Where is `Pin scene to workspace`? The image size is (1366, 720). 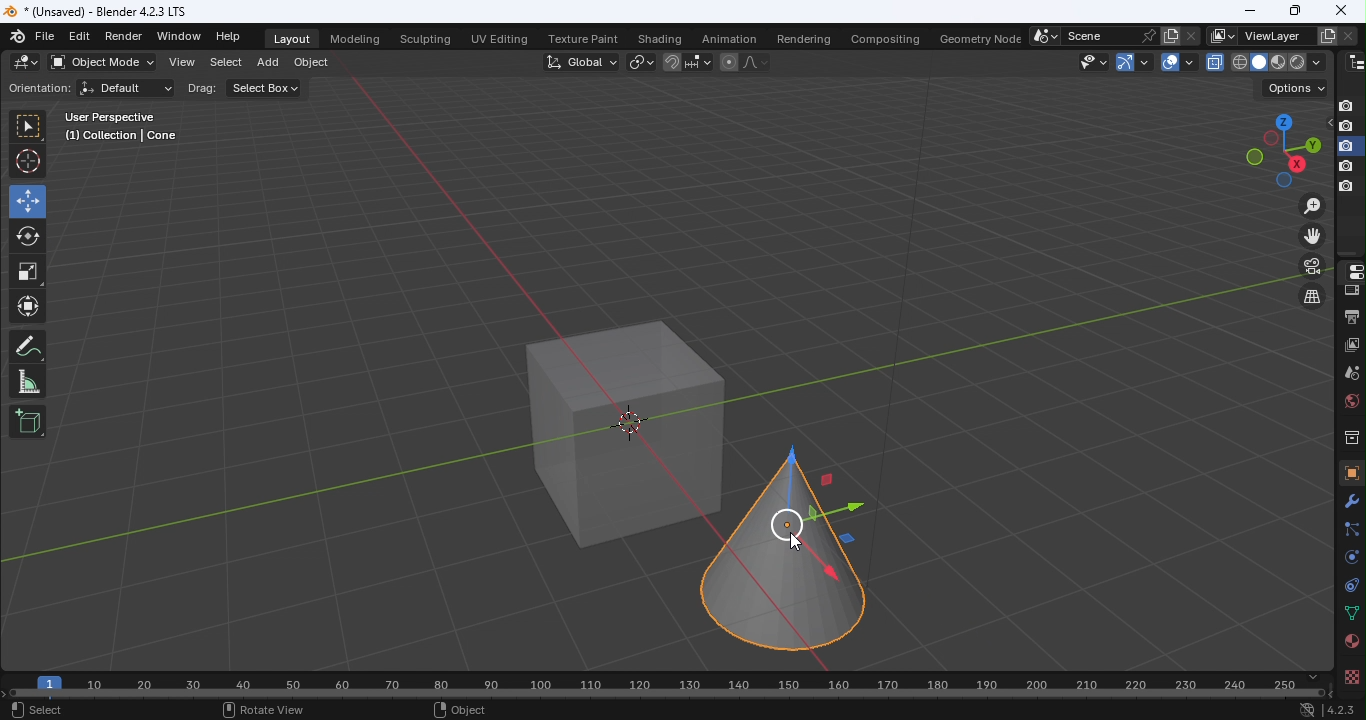 Pin scene to workspace is located at coordinates (1147, 35).